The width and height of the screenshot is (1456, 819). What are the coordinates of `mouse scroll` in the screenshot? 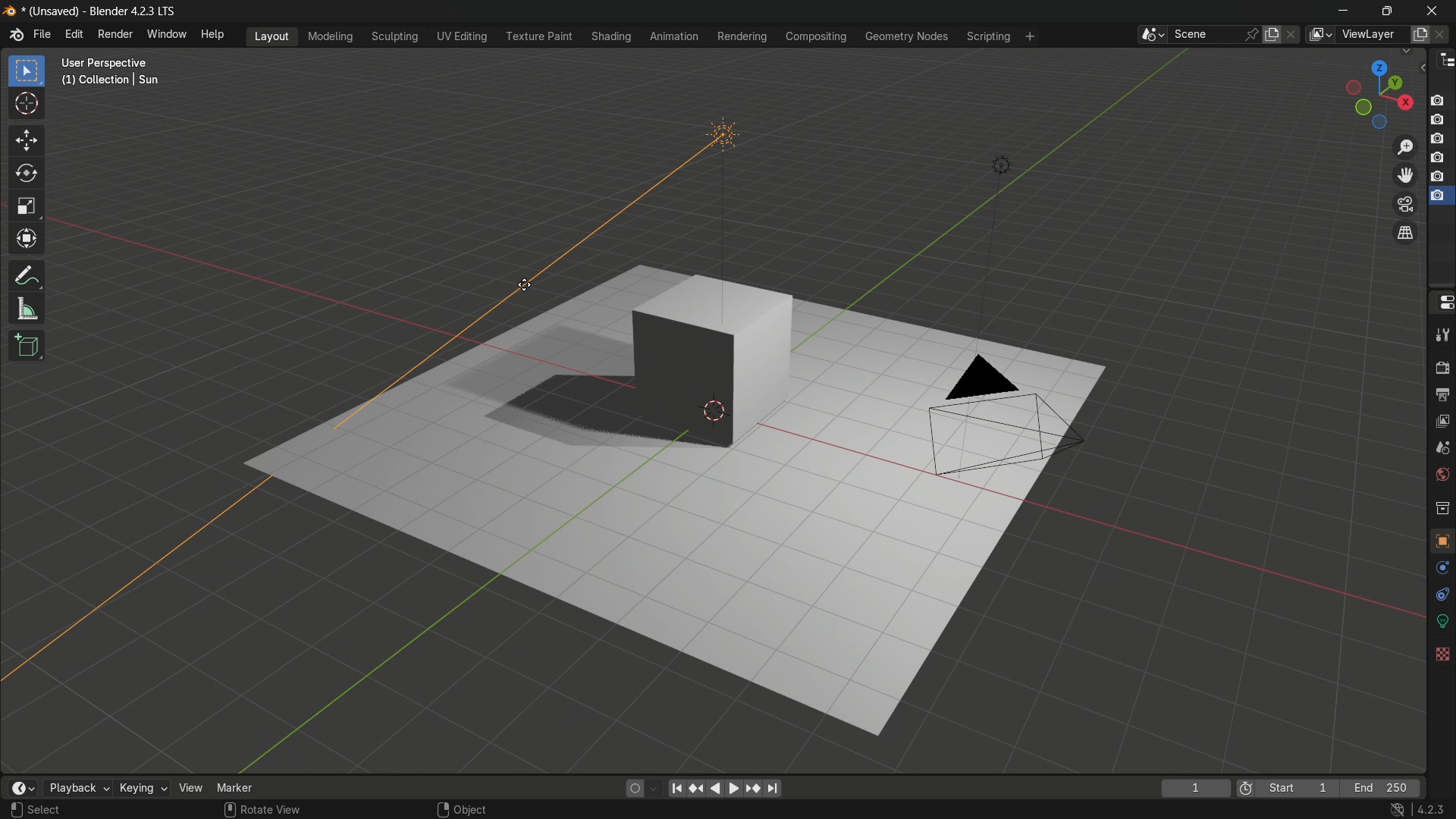 It's located at (227, 809).